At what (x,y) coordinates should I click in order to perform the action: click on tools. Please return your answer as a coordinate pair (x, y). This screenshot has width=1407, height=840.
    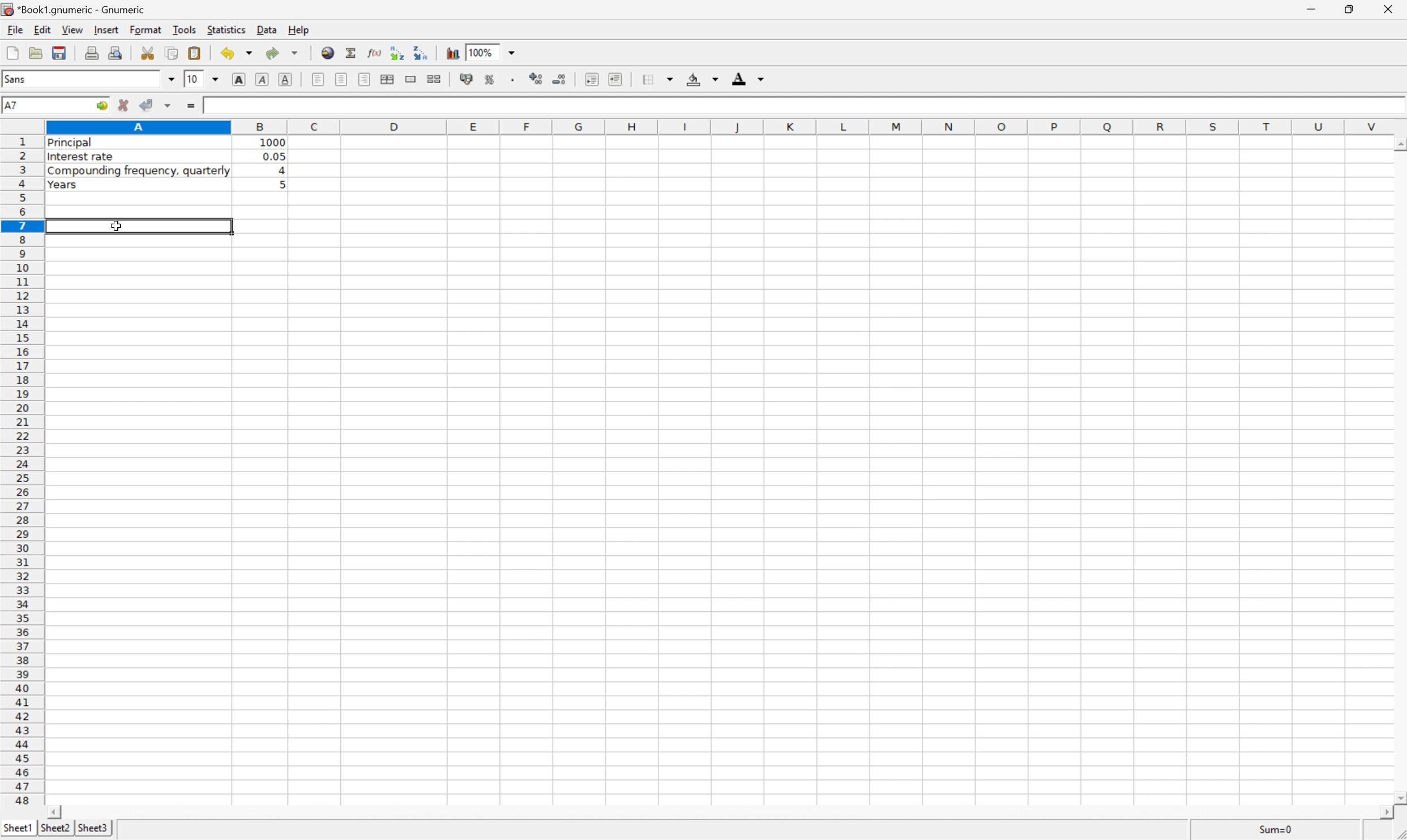
    Looking at the image, I should click on (185, 29).